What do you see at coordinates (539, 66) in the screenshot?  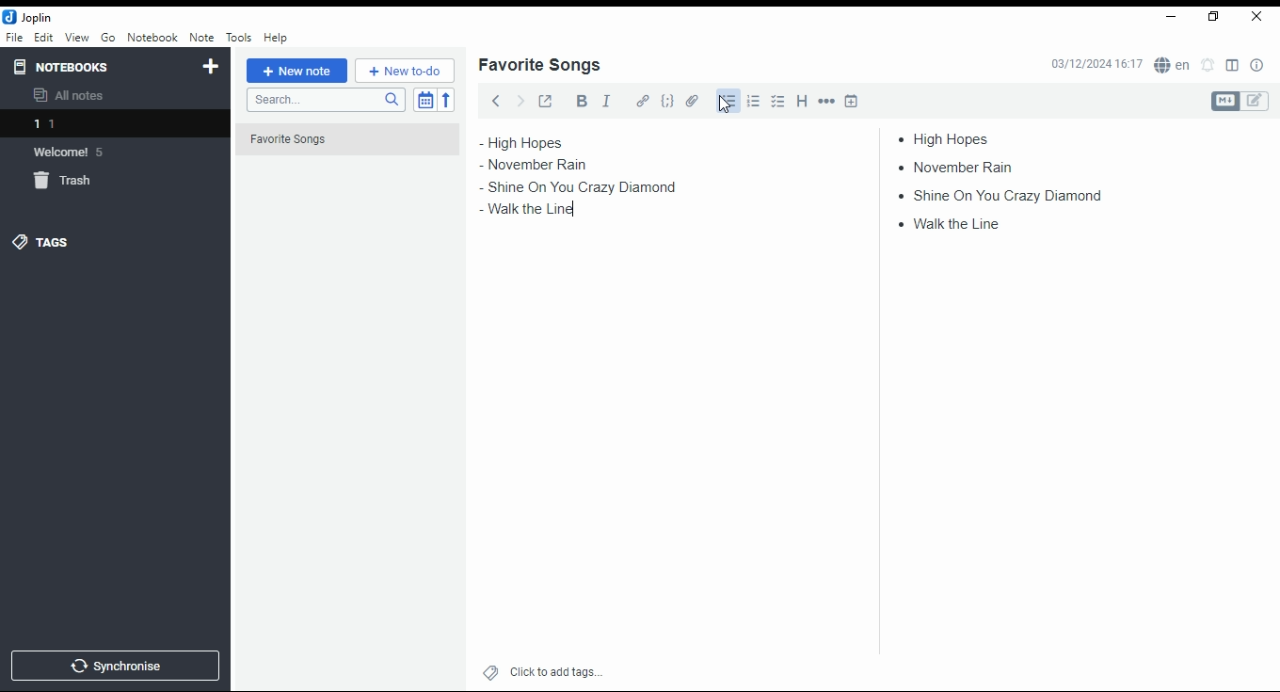 I see `list name` at bounding box center [539, 66].